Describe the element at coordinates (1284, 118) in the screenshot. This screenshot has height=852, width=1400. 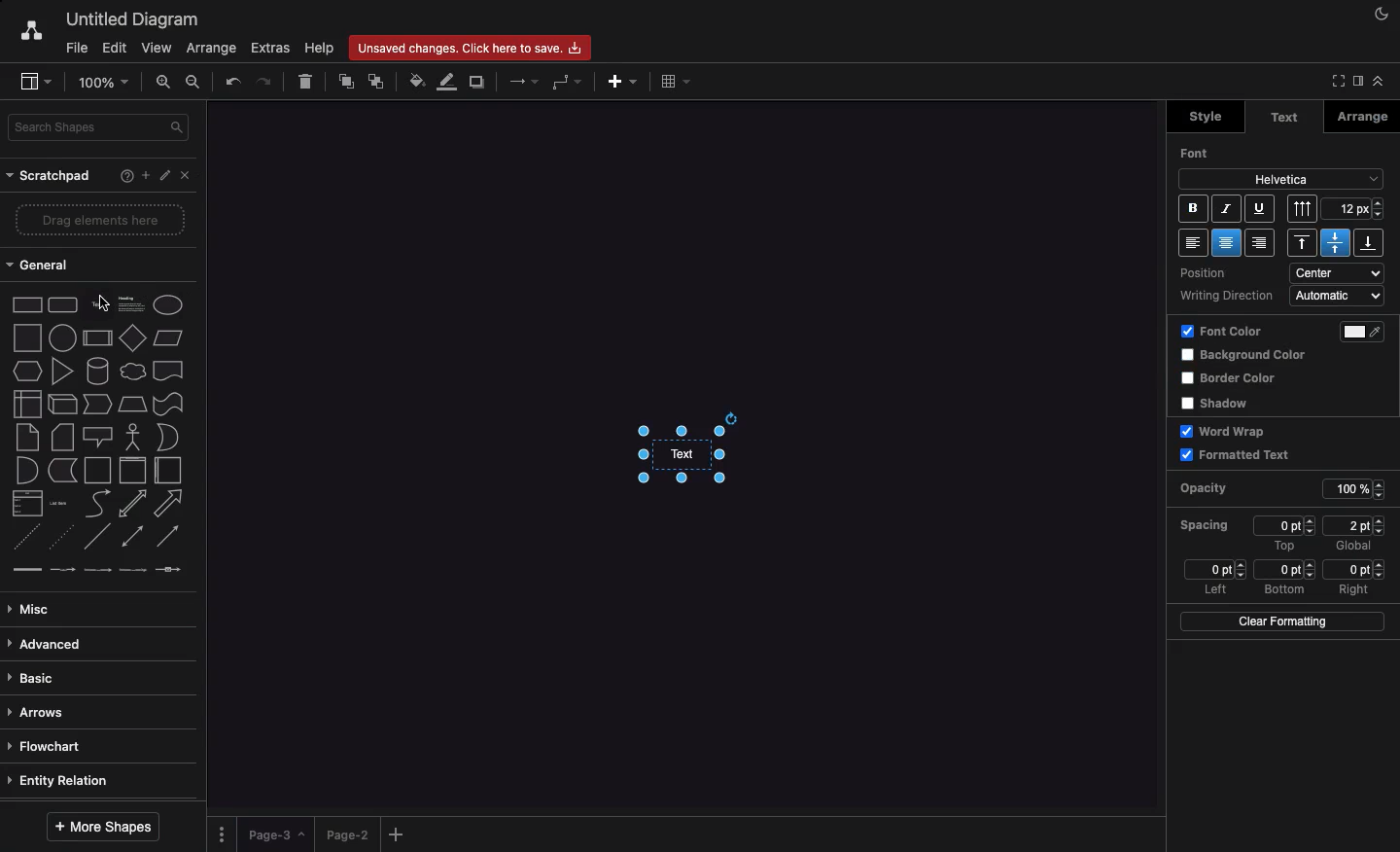
I see `Text` at that location.